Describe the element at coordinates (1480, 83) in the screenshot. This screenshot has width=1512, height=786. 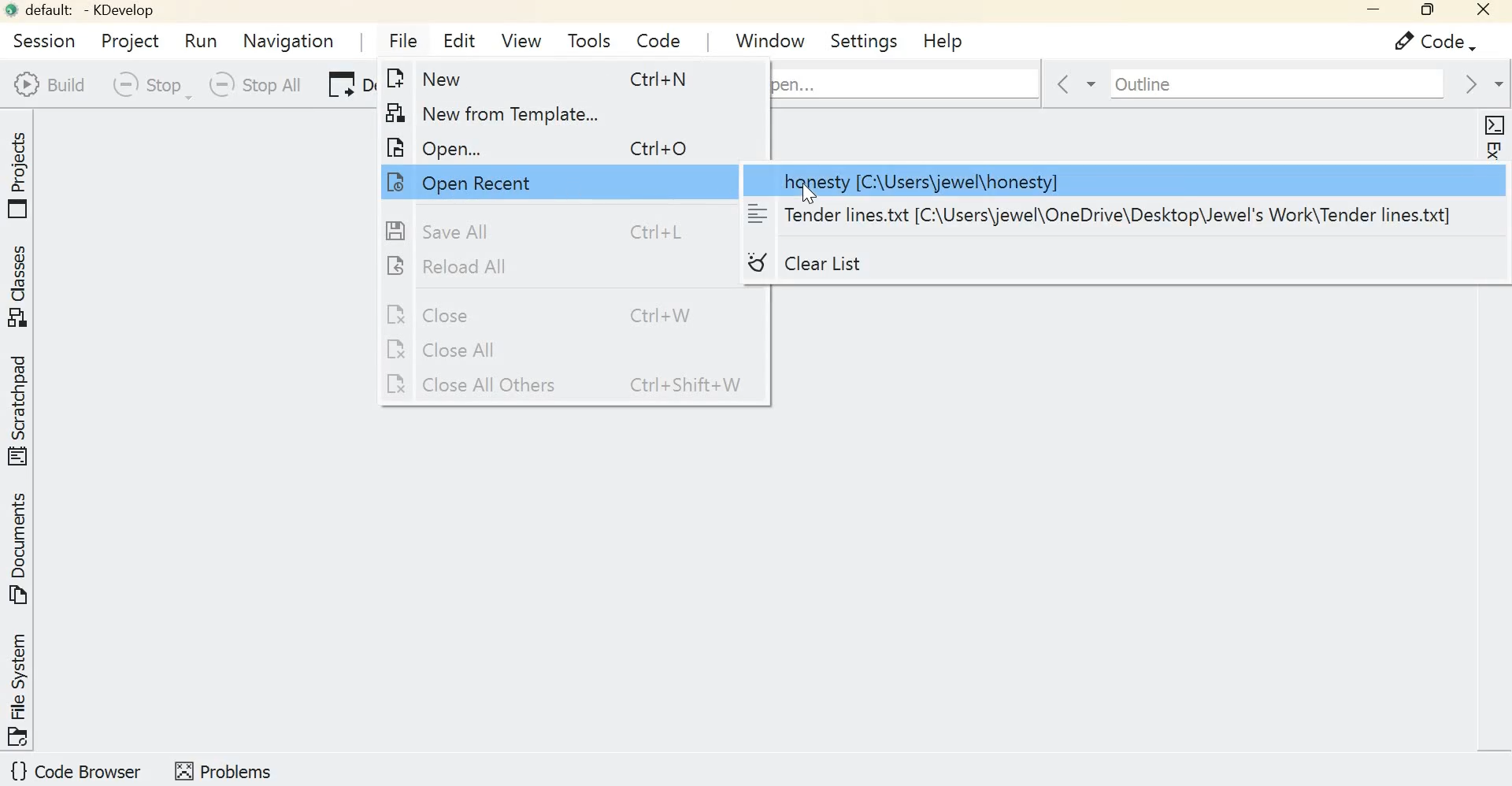
I see `Go forward in context history` at that location.